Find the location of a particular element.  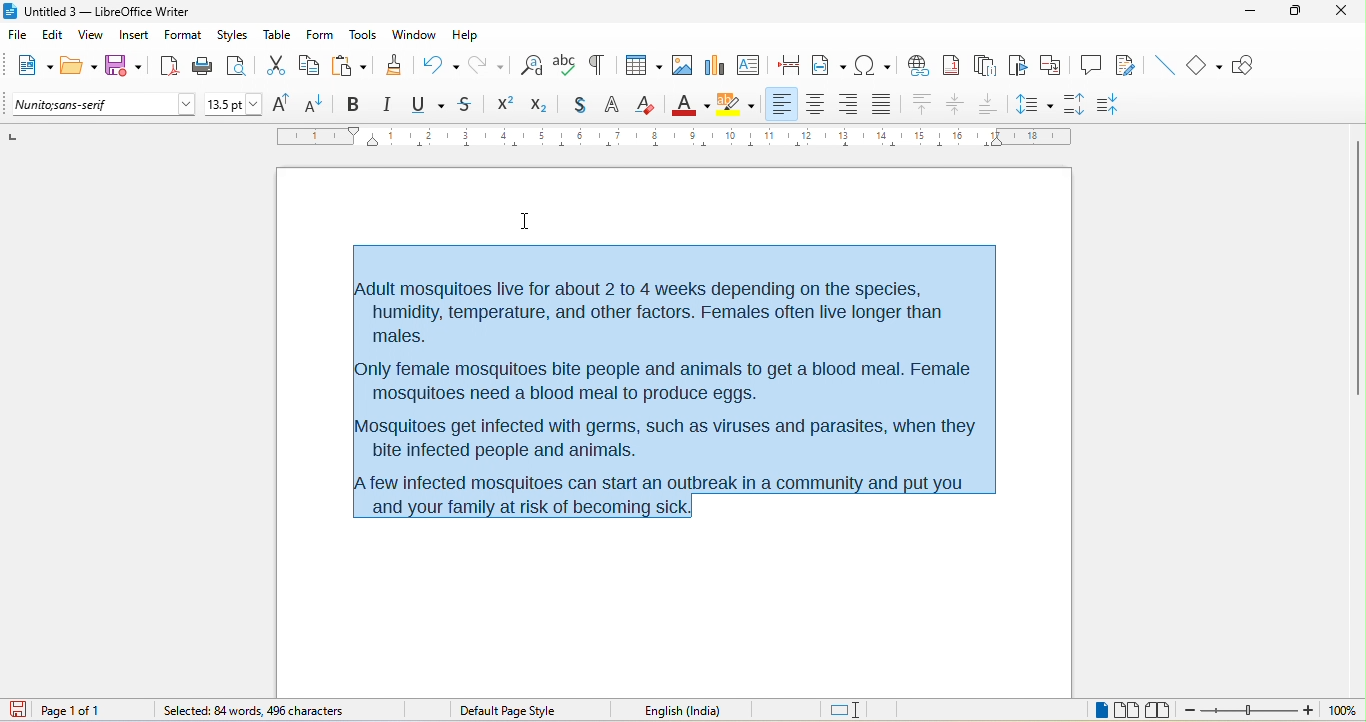

format is located at coordinates (183, 37).